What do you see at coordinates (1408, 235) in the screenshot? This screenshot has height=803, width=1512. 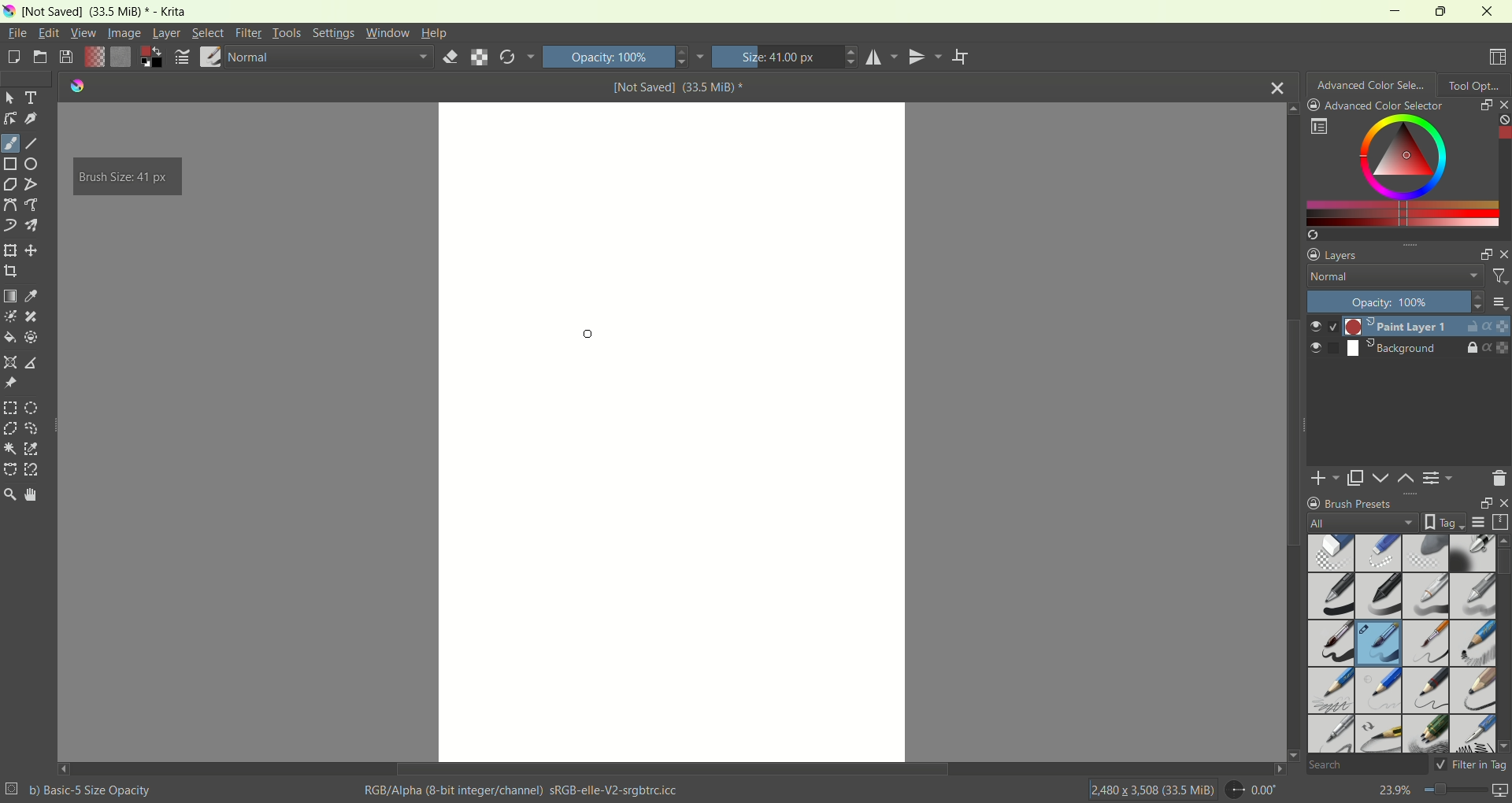 I see `create a list of colors` at bounding box center [1408, 235].